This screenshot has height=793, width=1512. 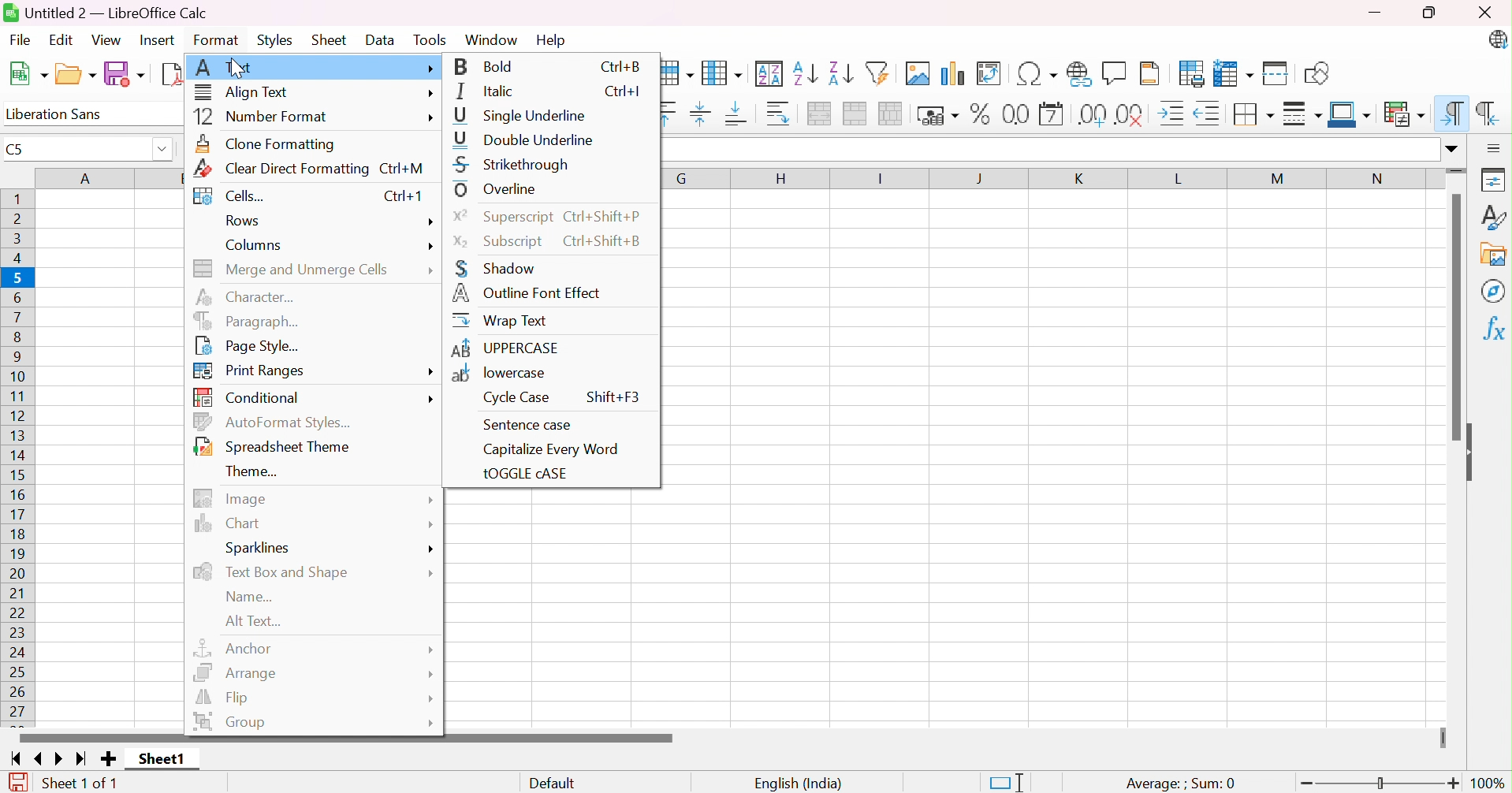 What do you see at coordinates (277, 41) in the screenshot?
I see `Styles` at bounding box center [277, 41].